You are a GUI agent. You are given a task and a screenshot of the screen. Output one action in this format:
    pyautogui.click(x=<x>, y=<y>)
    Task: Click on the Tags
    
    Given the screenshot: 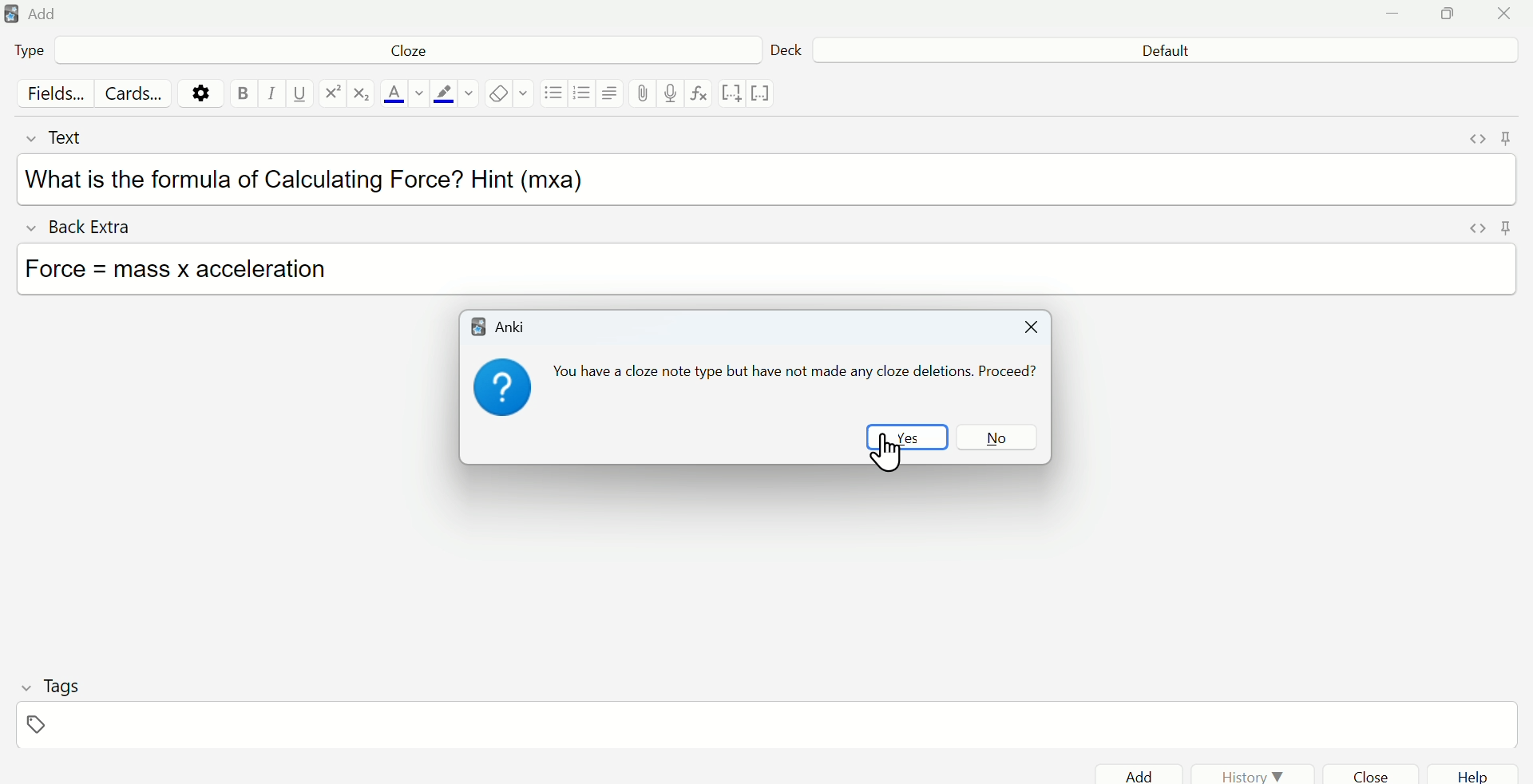 What is the action you would take?
    pyautogui.click(x=40, y=727)
    